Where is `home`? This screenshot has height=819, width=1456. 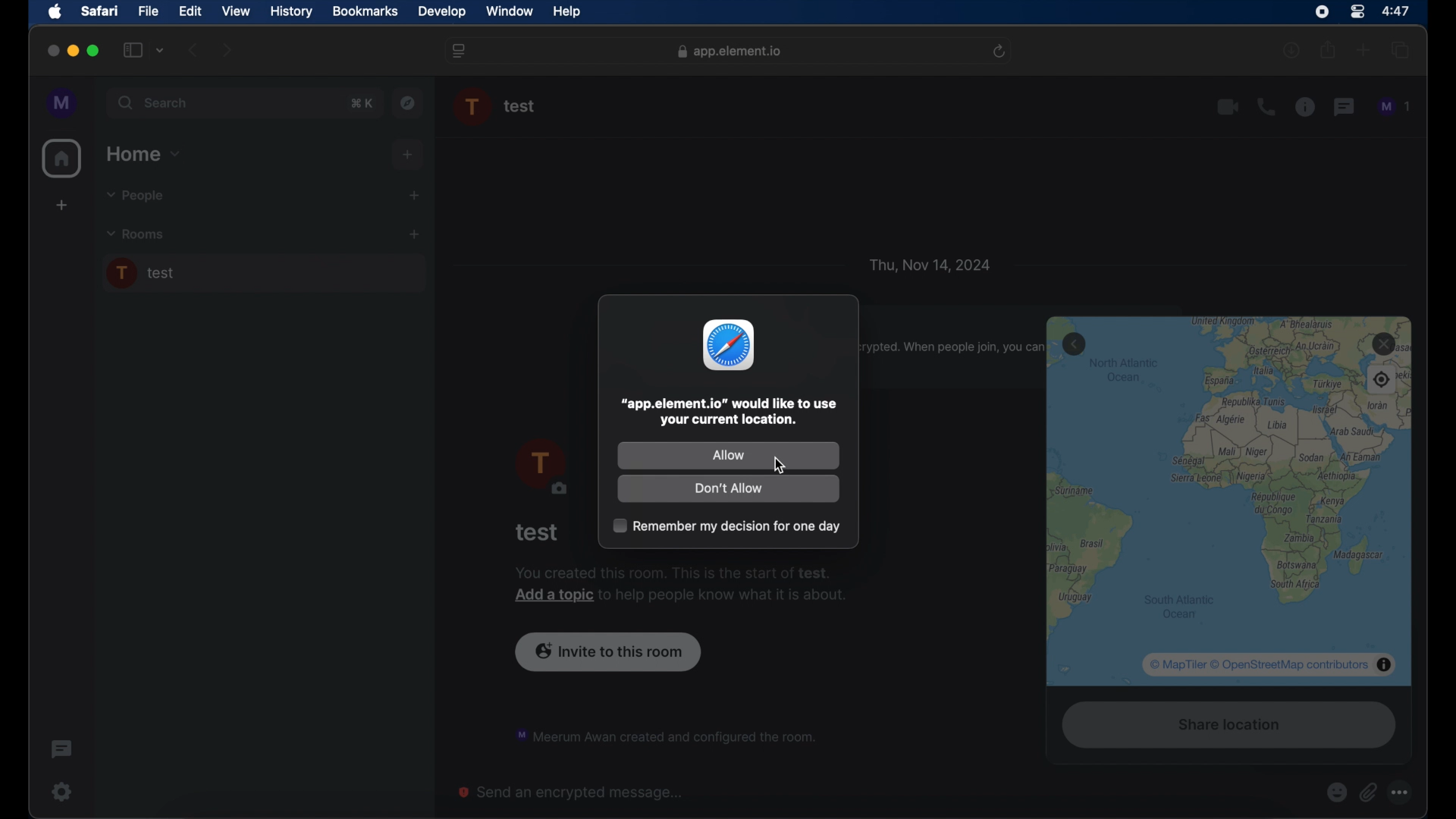
home is located at coordinates (62, 158).